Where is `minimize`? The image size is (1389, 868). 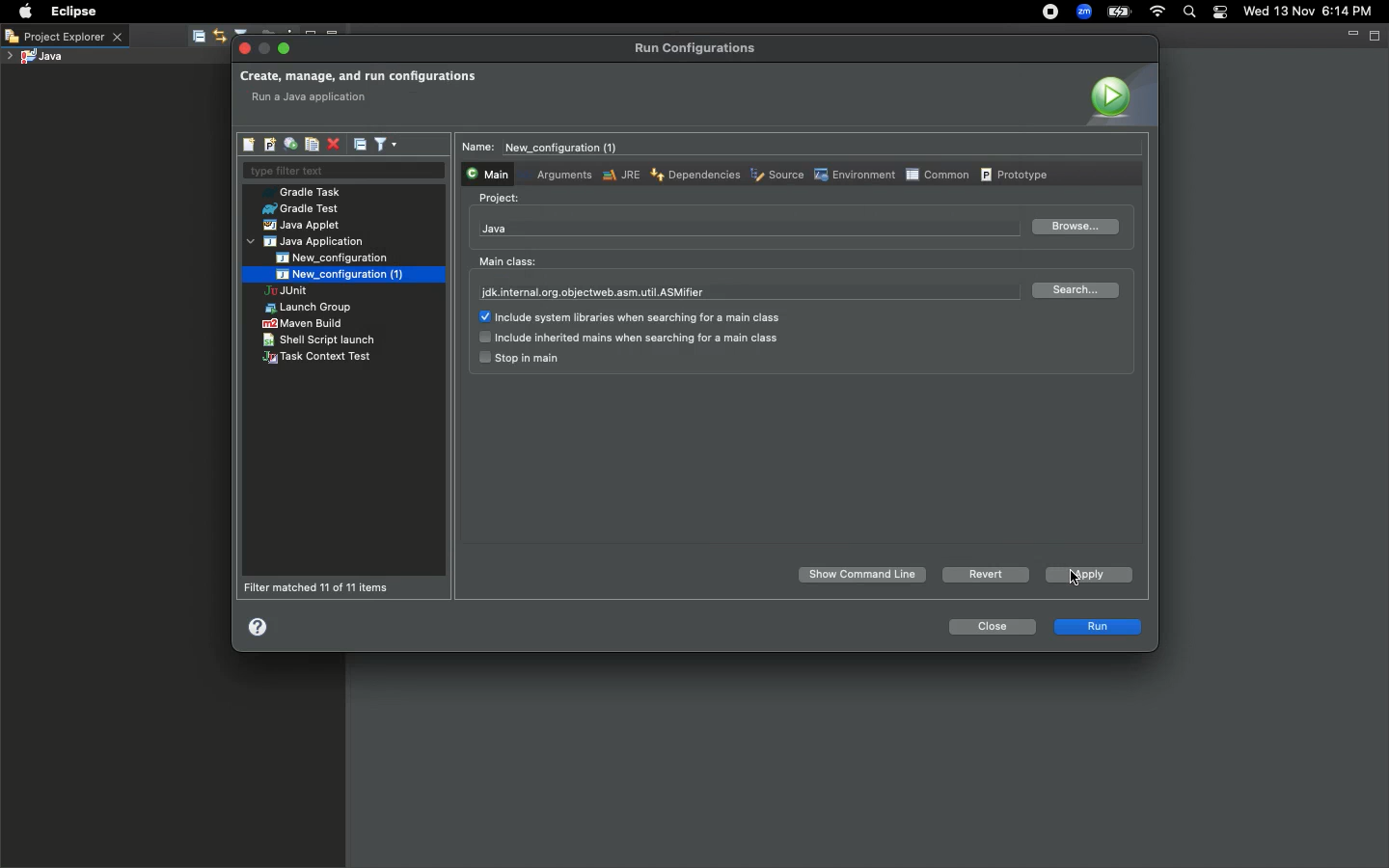 minimize is located at coordinates (265, 49).